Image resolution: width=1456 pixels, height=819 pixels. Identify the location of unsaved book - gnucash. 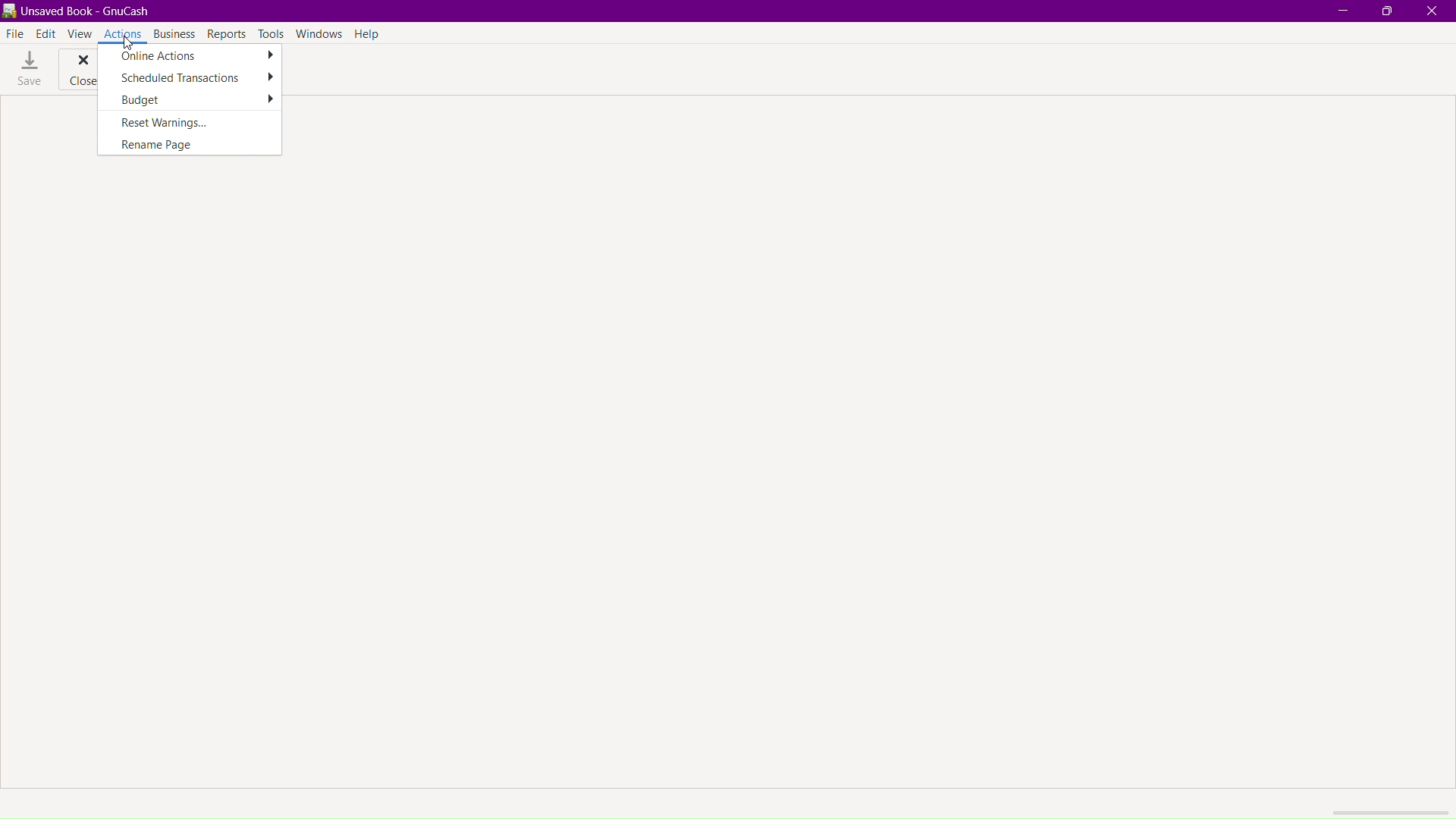
(86, 11).